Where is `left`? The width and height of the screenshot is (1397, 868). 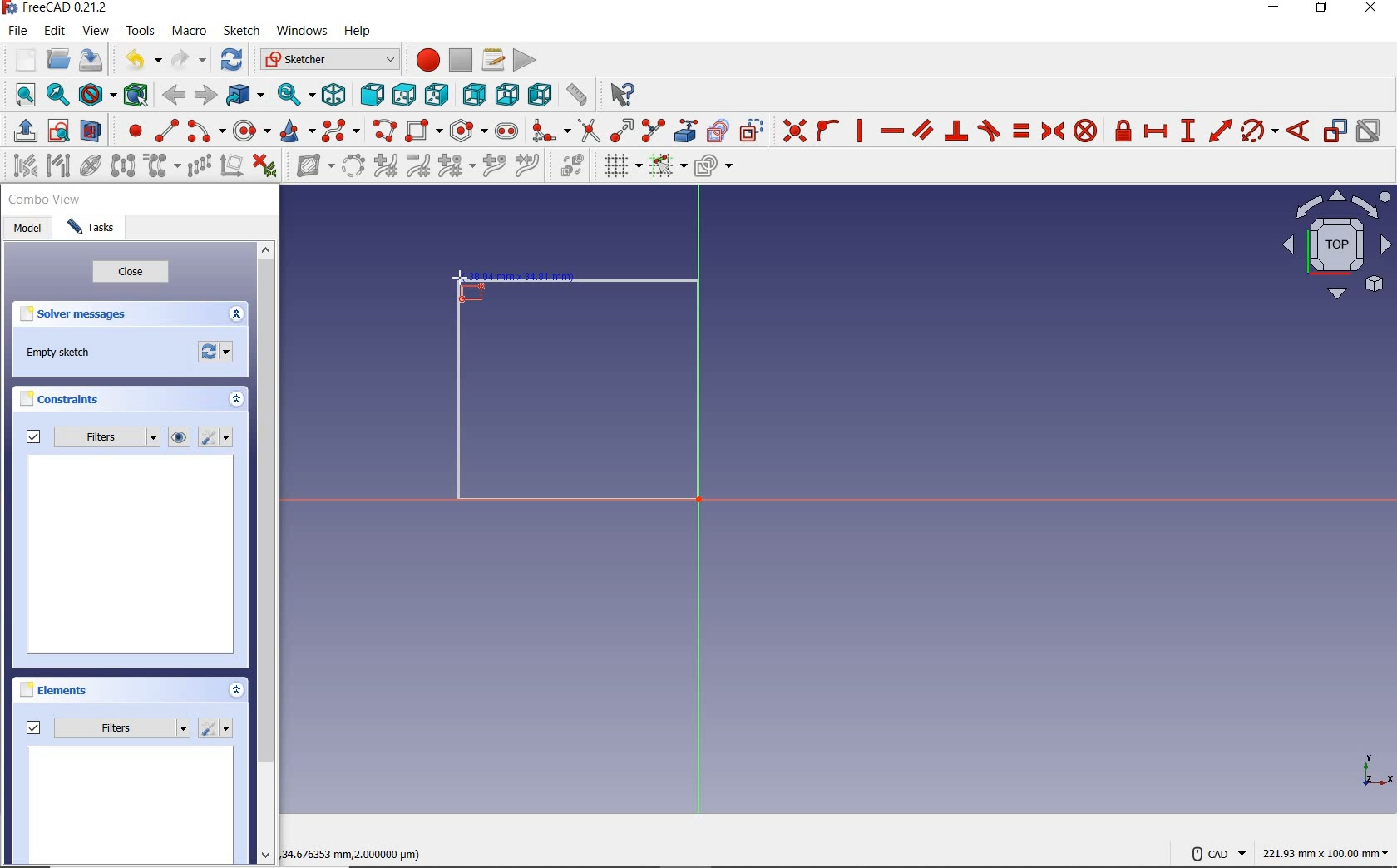
left is located at coordinates (538, 96).